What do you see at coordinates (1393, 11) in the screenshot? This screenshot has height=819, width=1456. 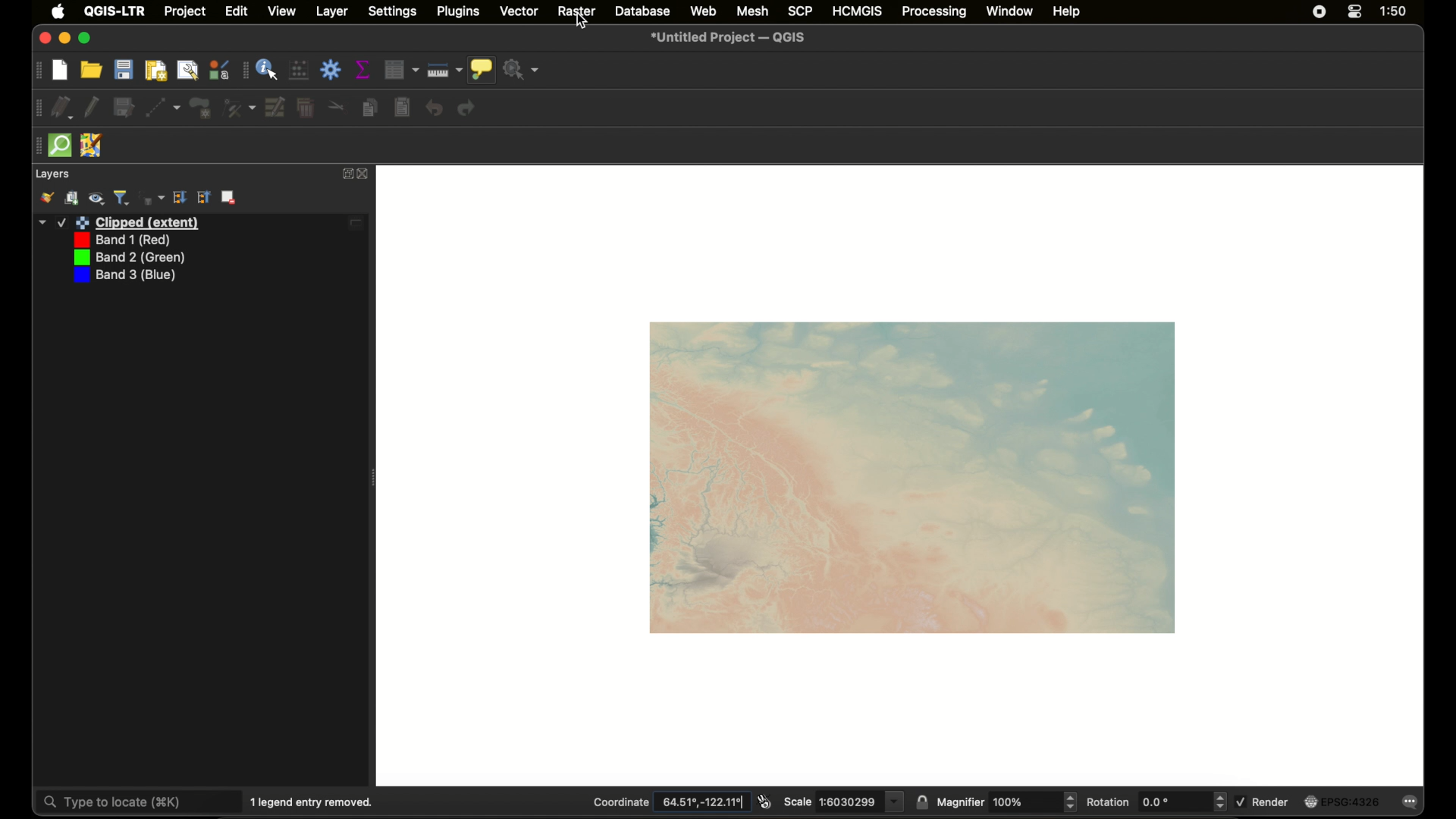 I see `time` at bounding box center [1393, 11].